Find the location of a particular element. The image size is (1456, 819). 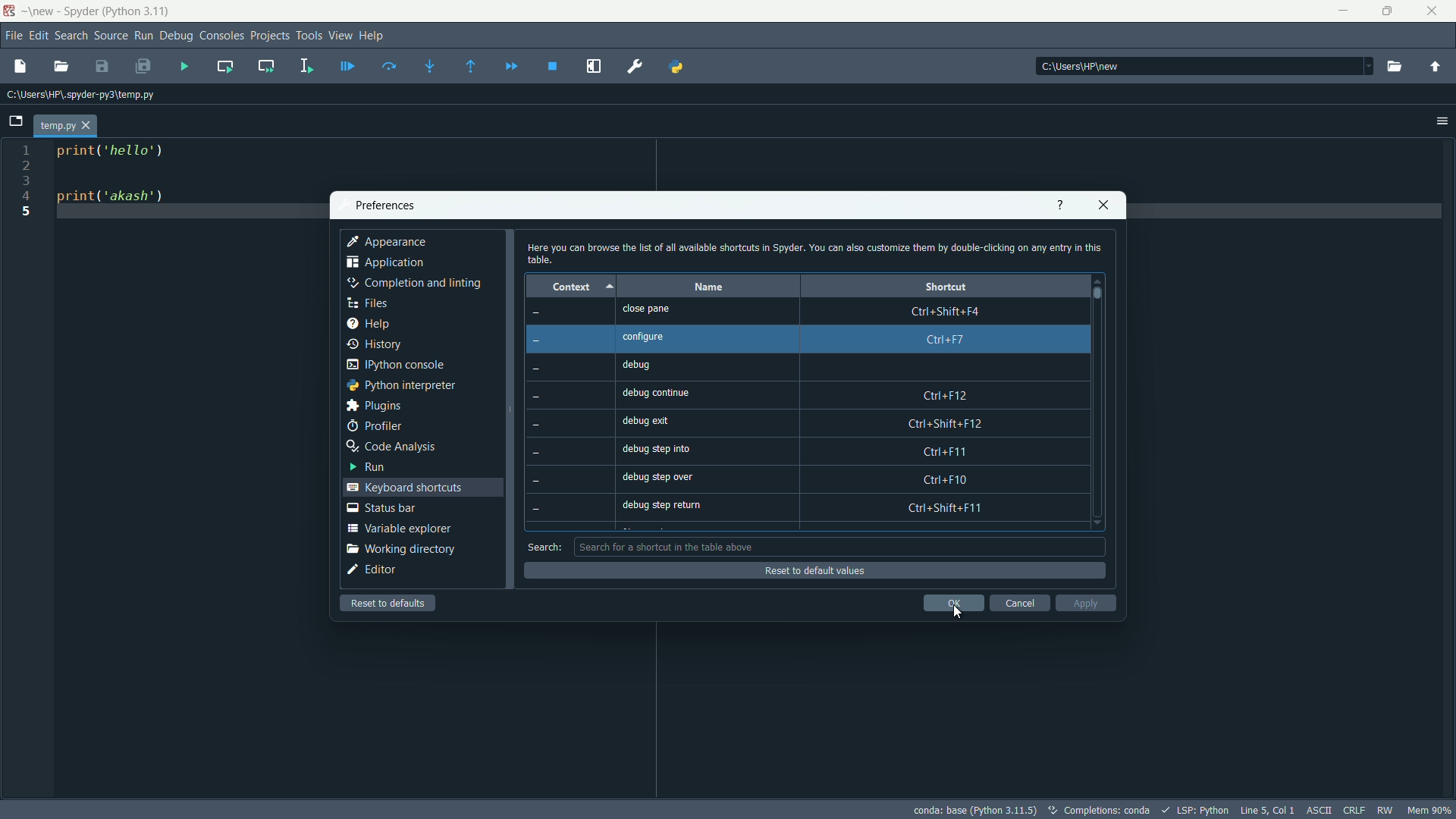

cursor position is located at coordinates (1267, 810).